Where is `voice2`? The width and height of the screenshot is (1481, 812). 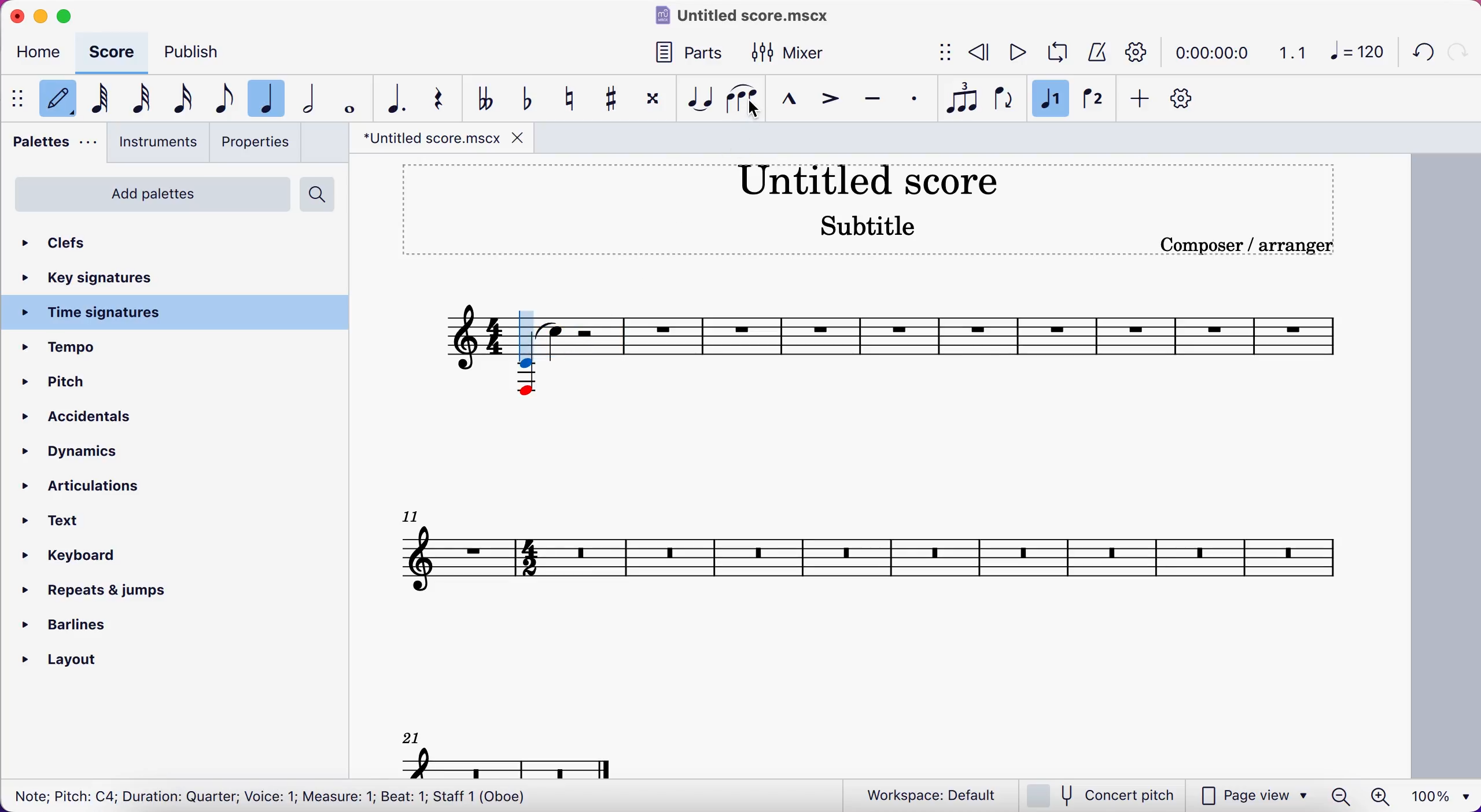
voice2 is located at coordinates (1092, 102).